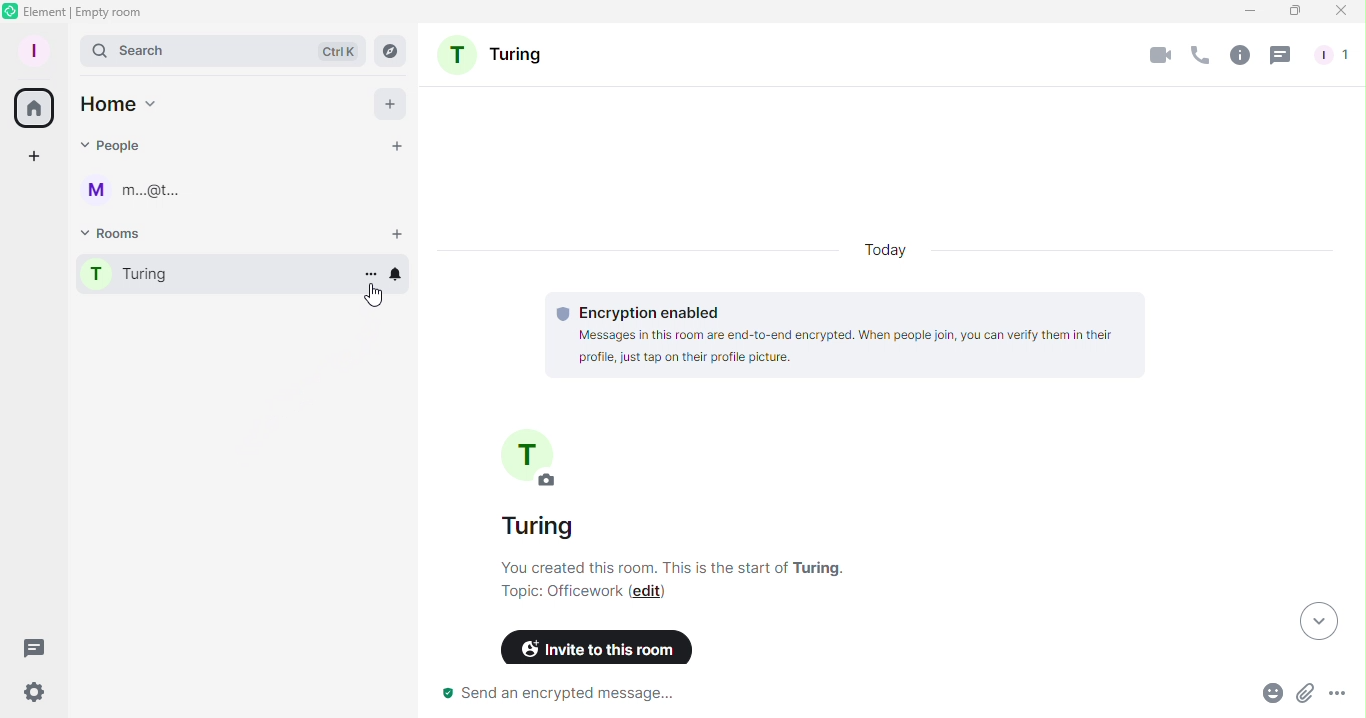 The image size is (1366, 718). What do you see at coordinates (35, 157) in the screenshot?
I see `Create space` at bounding box center [35, 157].